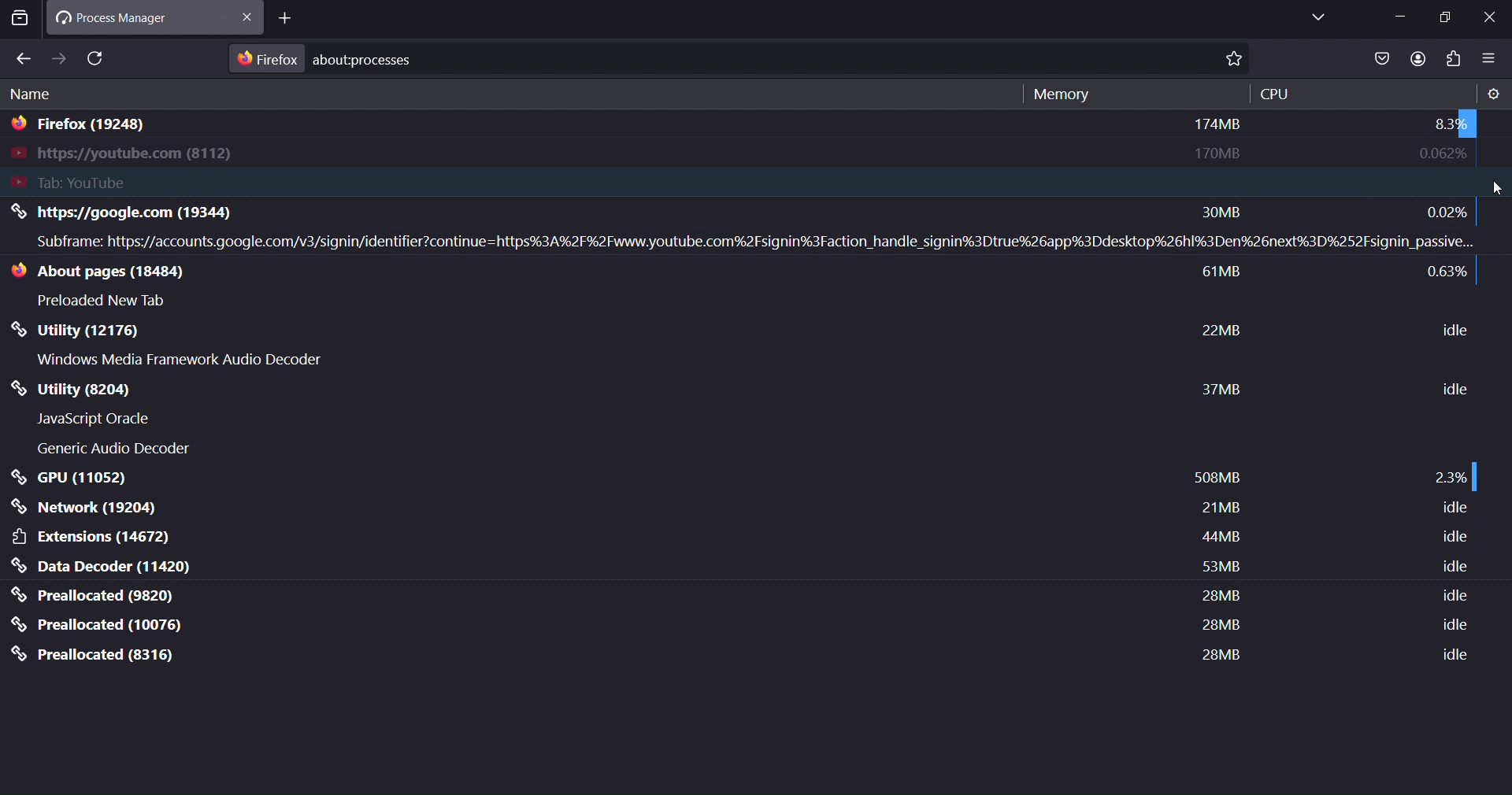 The width and height of the screenshot is (1512, 795). I want to click on restore down, so click(1447, 17).